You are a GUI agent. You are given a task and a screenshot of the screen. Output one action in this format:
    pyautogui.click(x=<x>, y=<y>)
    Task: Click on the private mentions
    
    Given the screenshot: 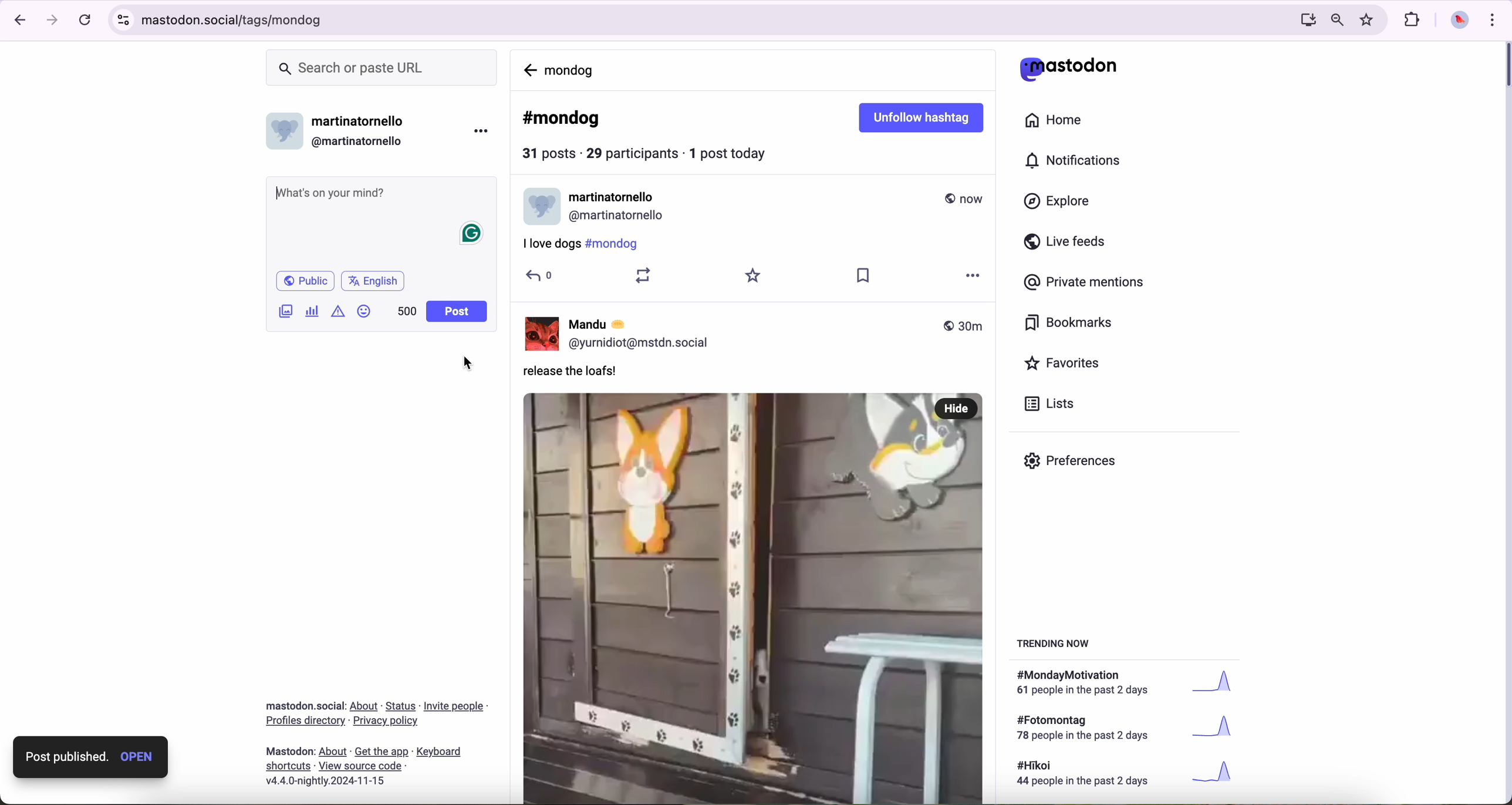 What is the action you would take?
    pyautogui.click(x=1088, y=284)
    